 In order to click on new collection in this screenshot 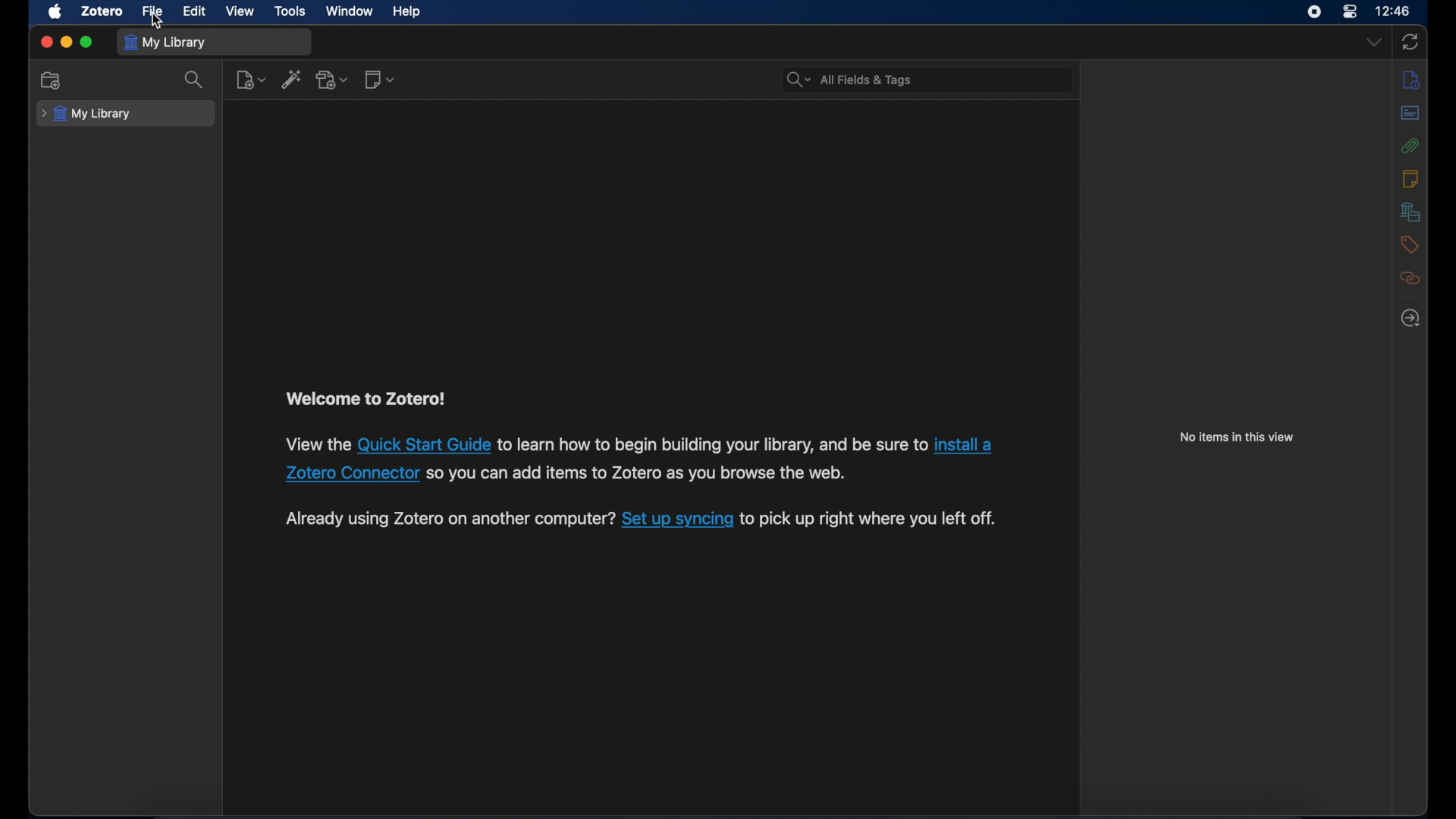, I will do `click(52, 80)`.